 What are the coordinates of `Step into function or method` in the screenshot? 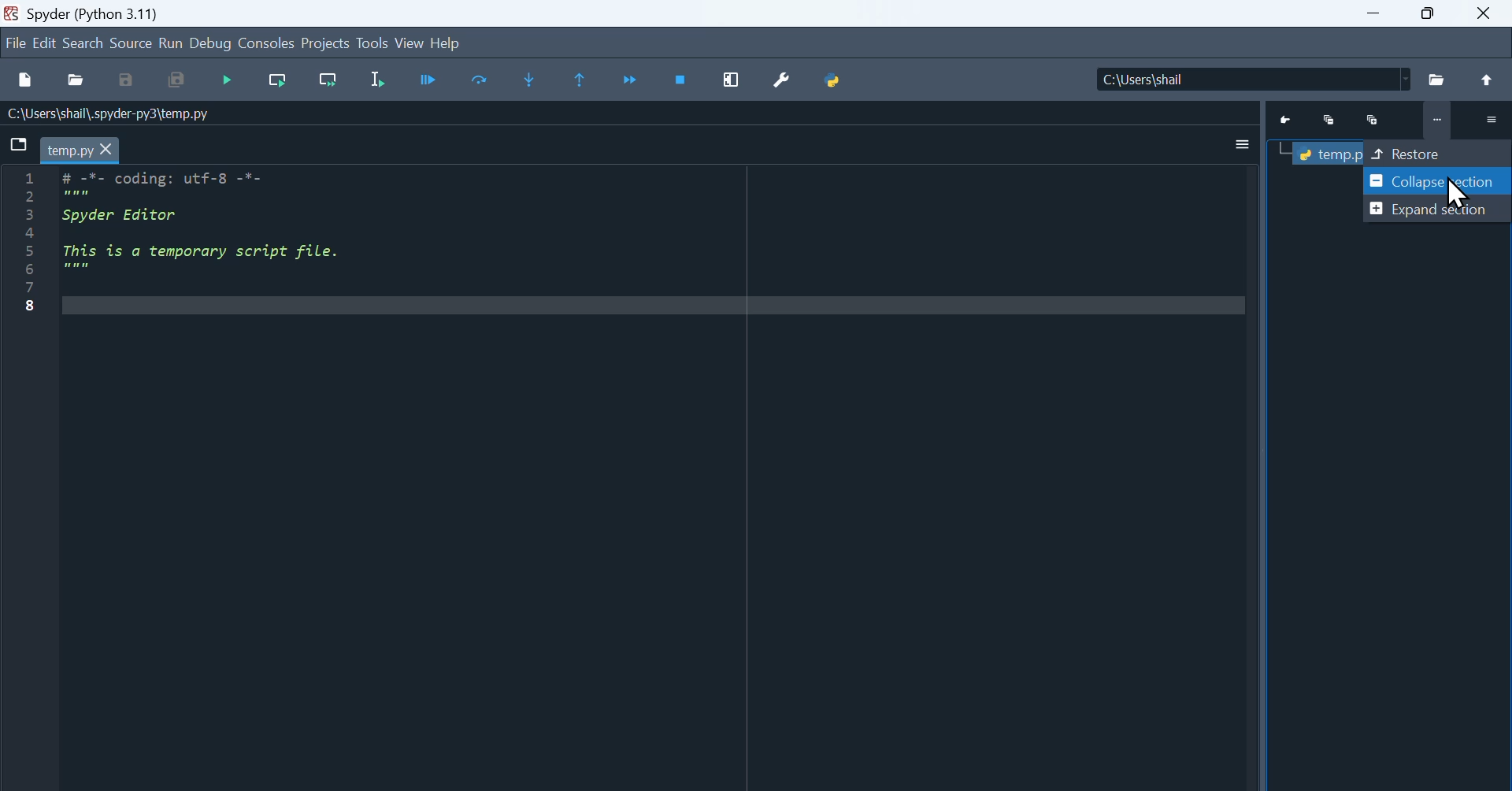 It's located at (529, 81).